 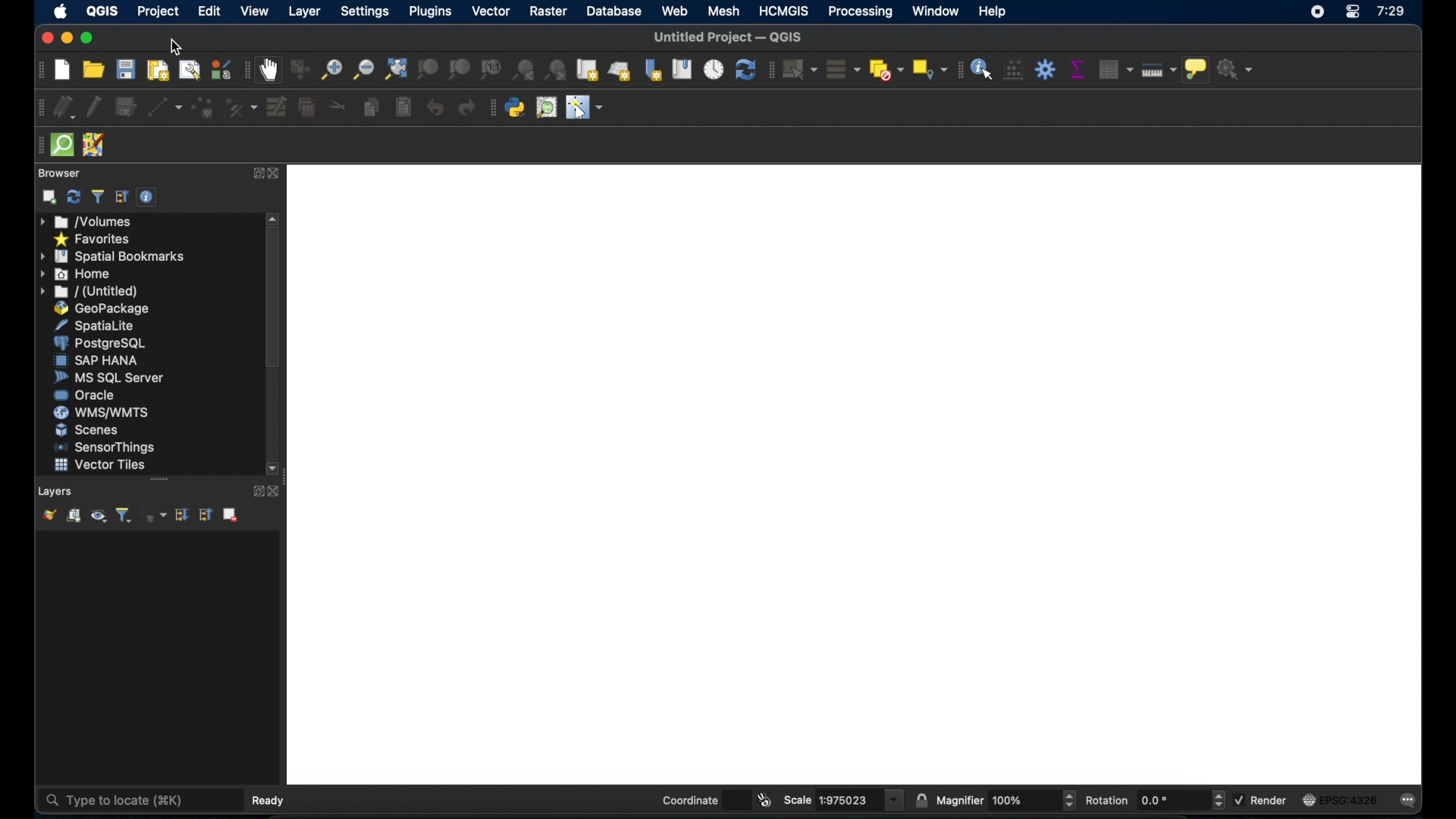 What do you see at coordinates (726, 11) in the screenshot?
I see `mesh` at bounding box center [726, 11].